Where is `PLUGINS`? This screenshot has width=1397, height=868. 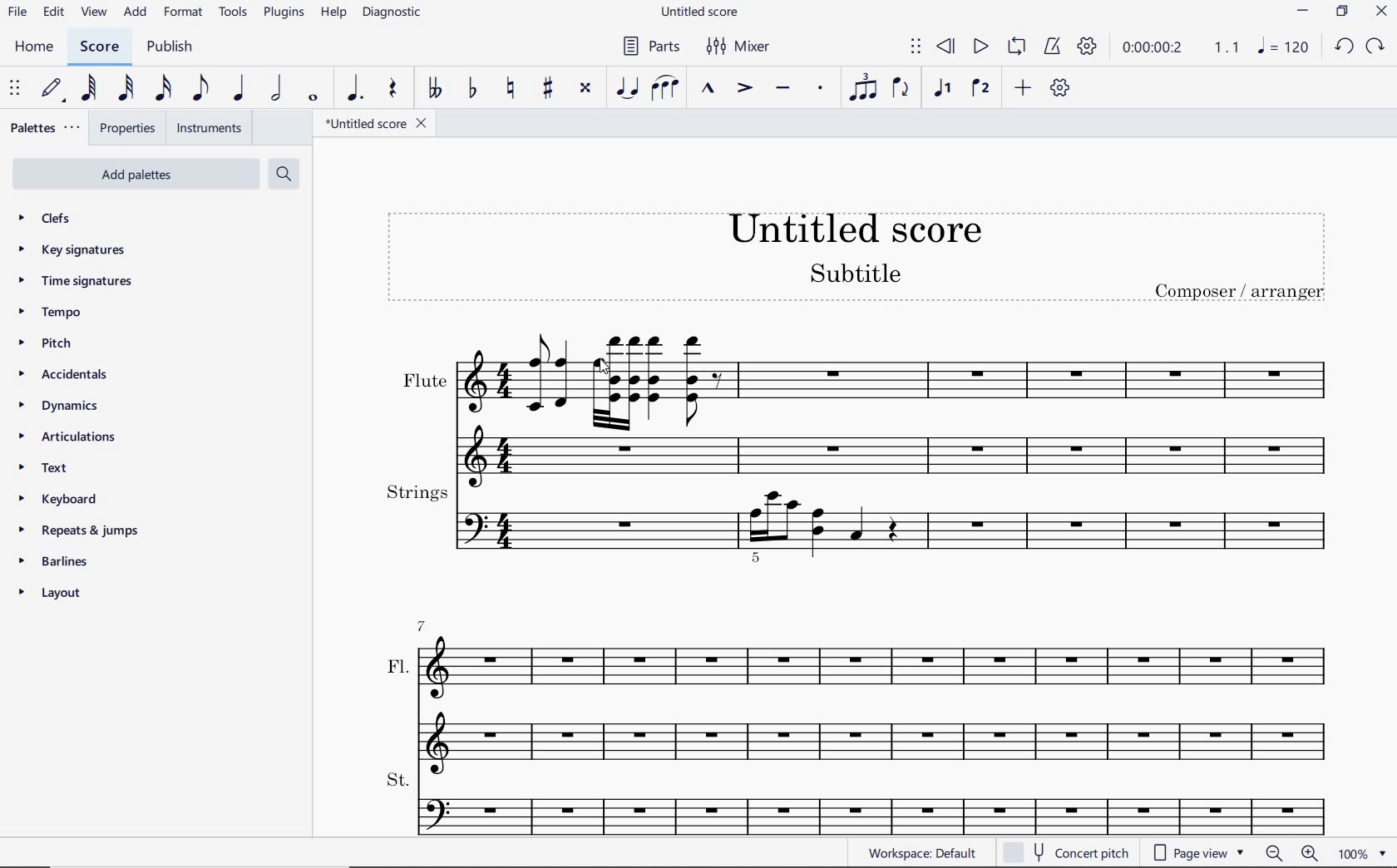
PLUGINS is located at coordinates (283, 12).